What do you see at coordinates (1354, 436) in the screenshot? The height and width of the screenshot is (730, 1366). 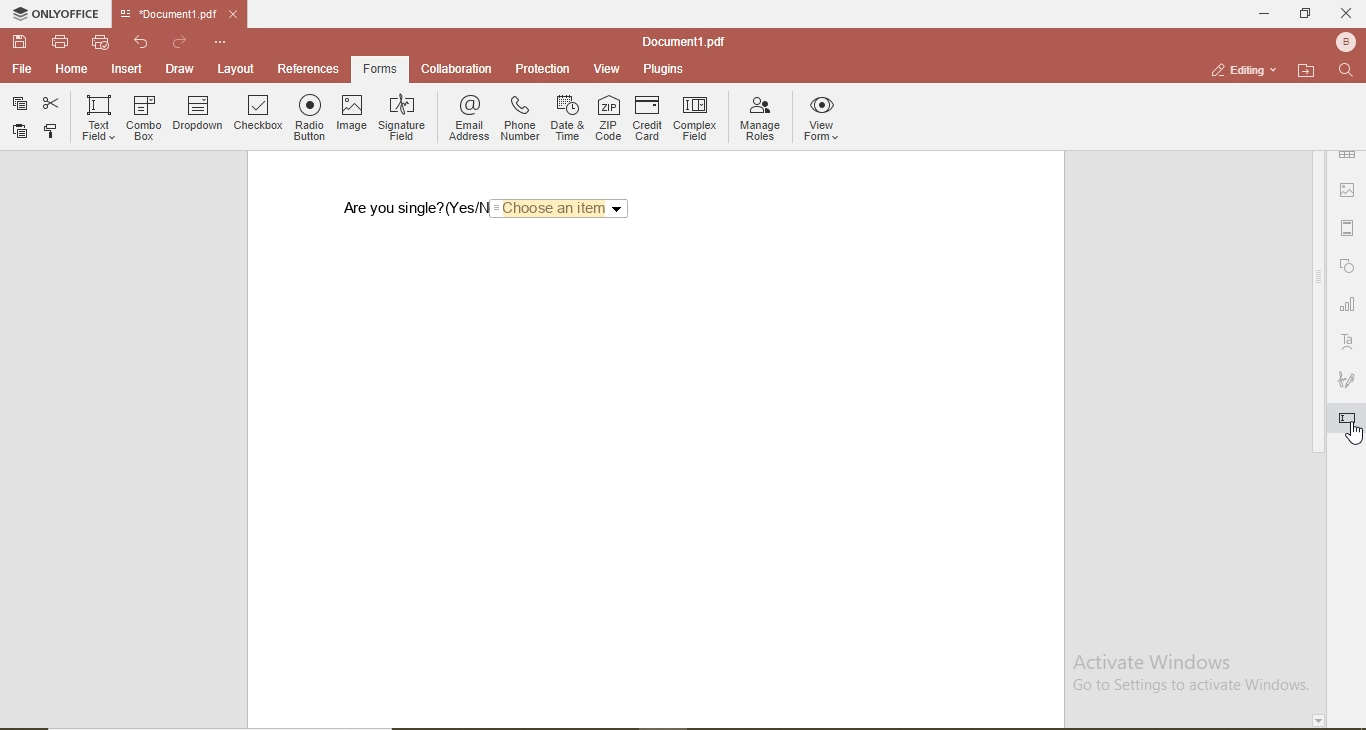 I see `cursor` at bounding box center [1354, 436].